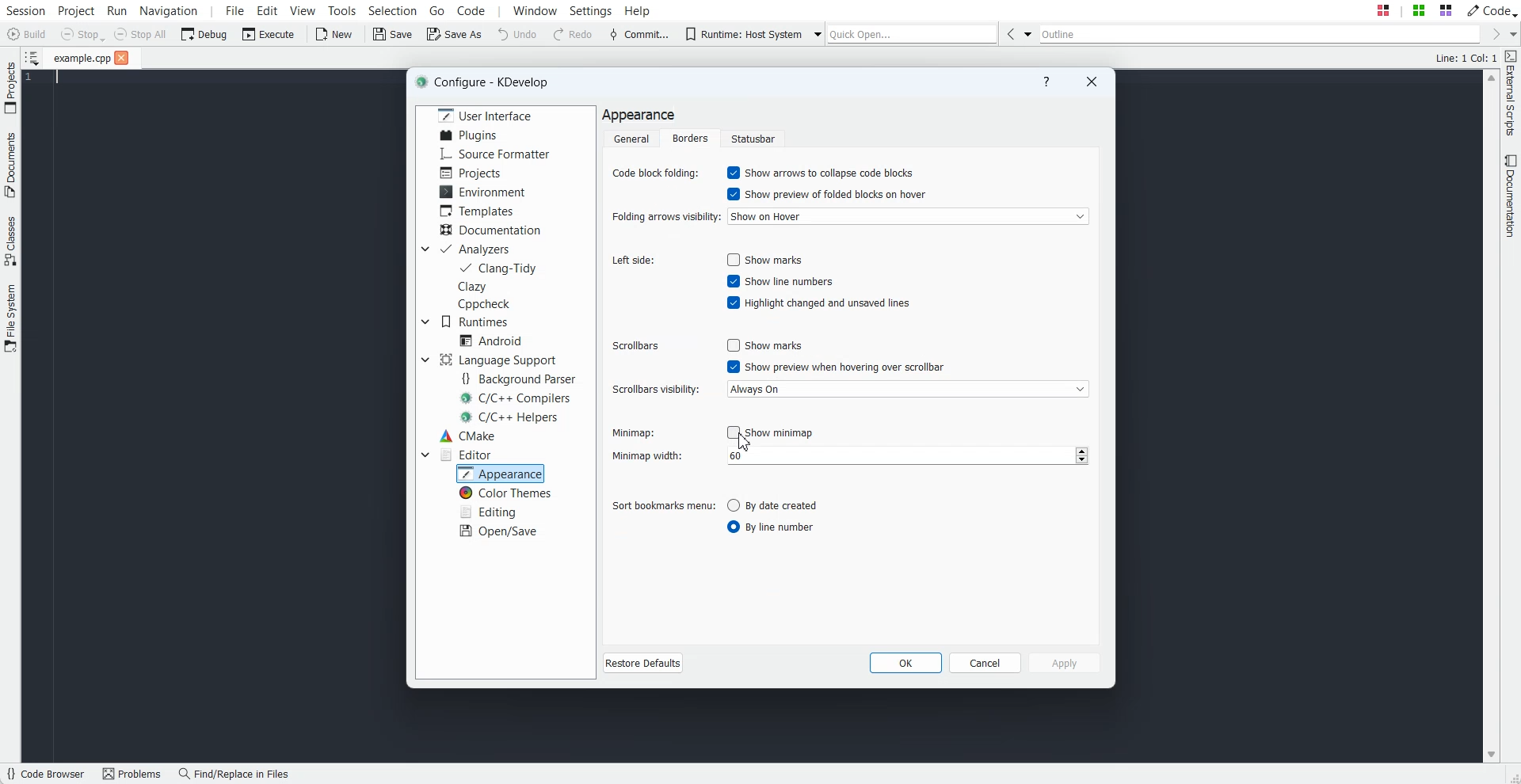  I want to click on Go Forward, so click(1491, 33).